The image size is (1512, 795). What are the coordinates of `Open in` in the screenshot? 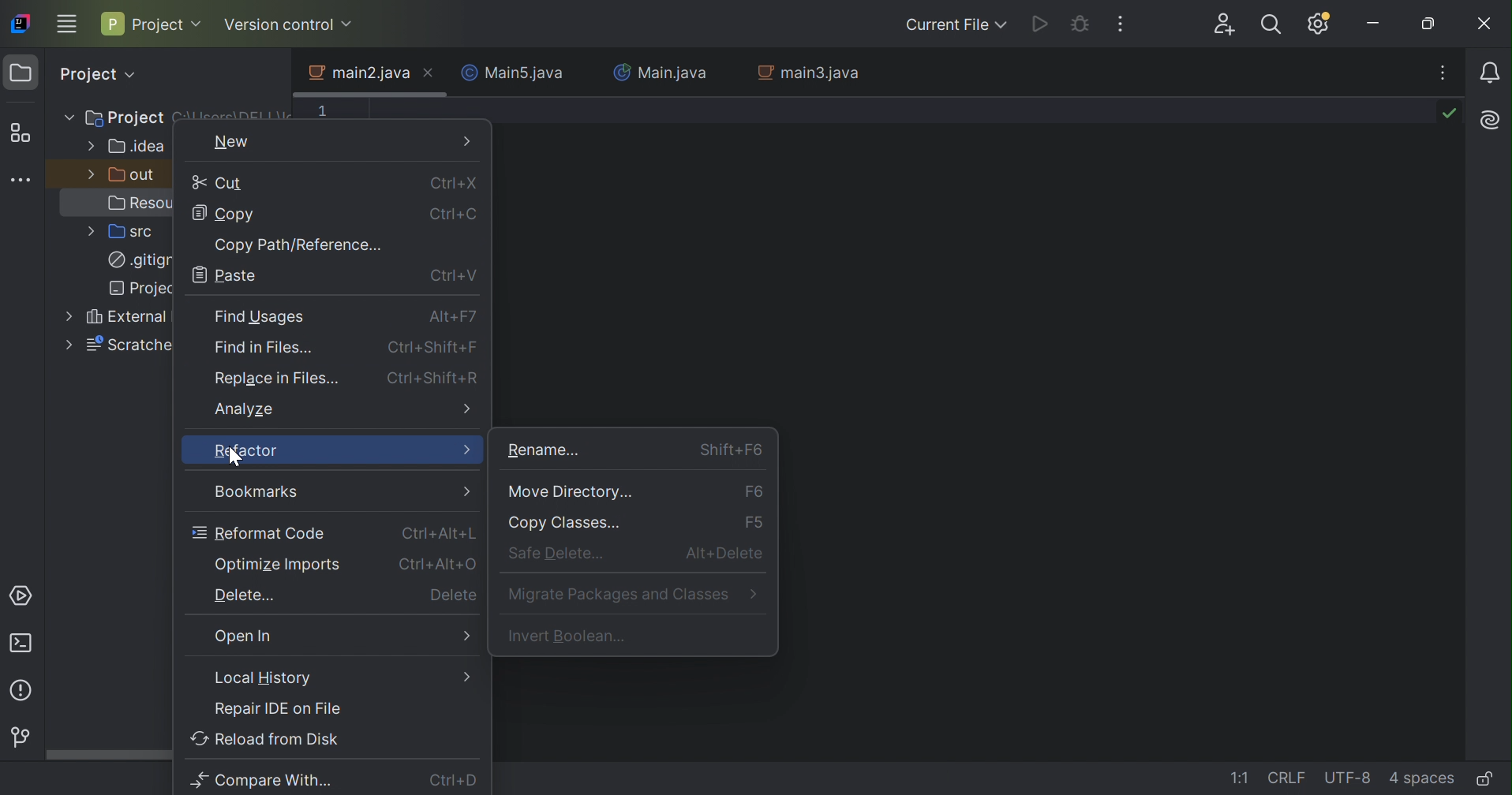 It's located at (248, 637).